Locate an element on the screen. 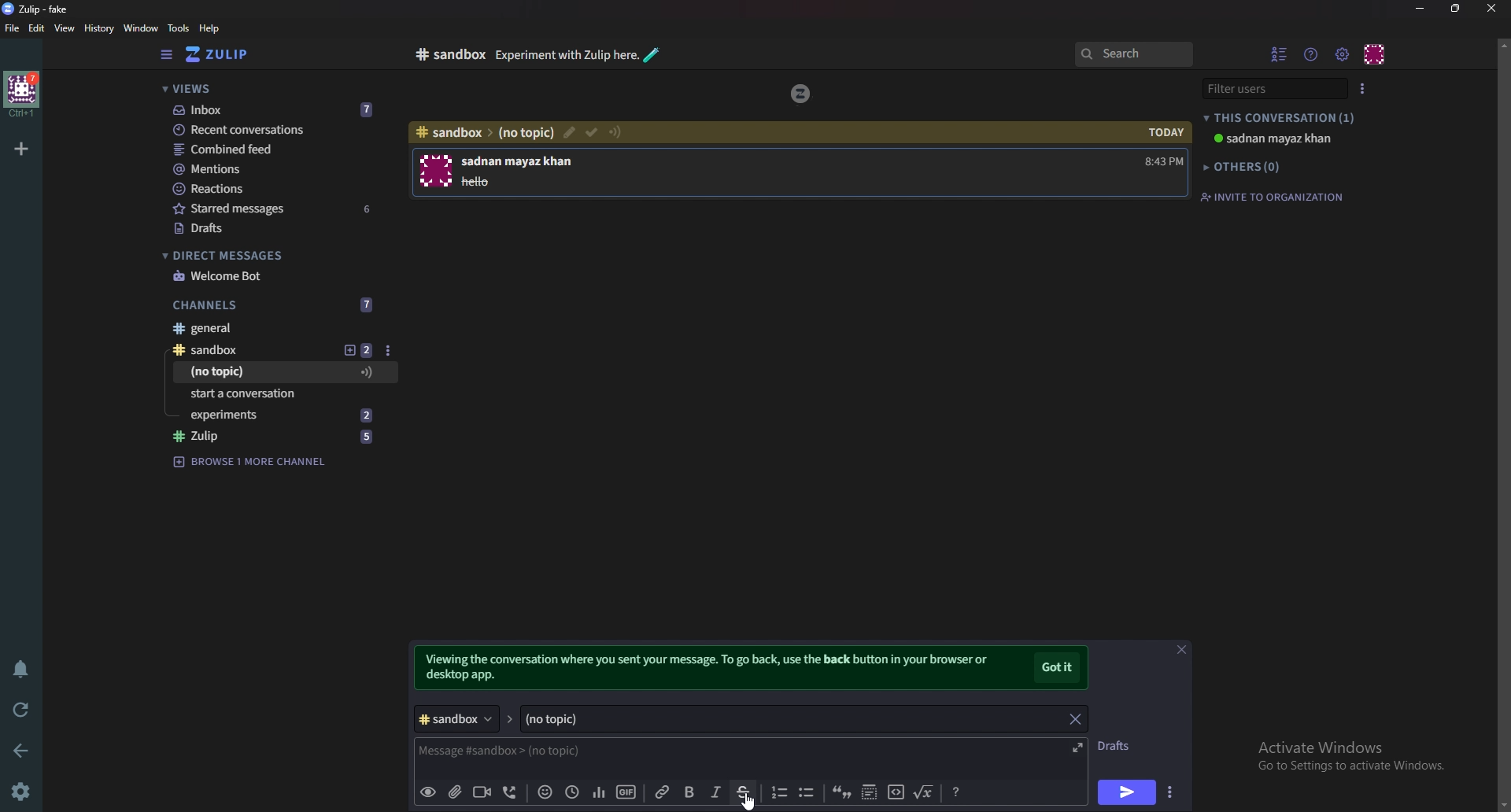  viewing the conversation where you sent your message. To go back use the back button in your browser or desktop app. is located at coordinates (721, 666).